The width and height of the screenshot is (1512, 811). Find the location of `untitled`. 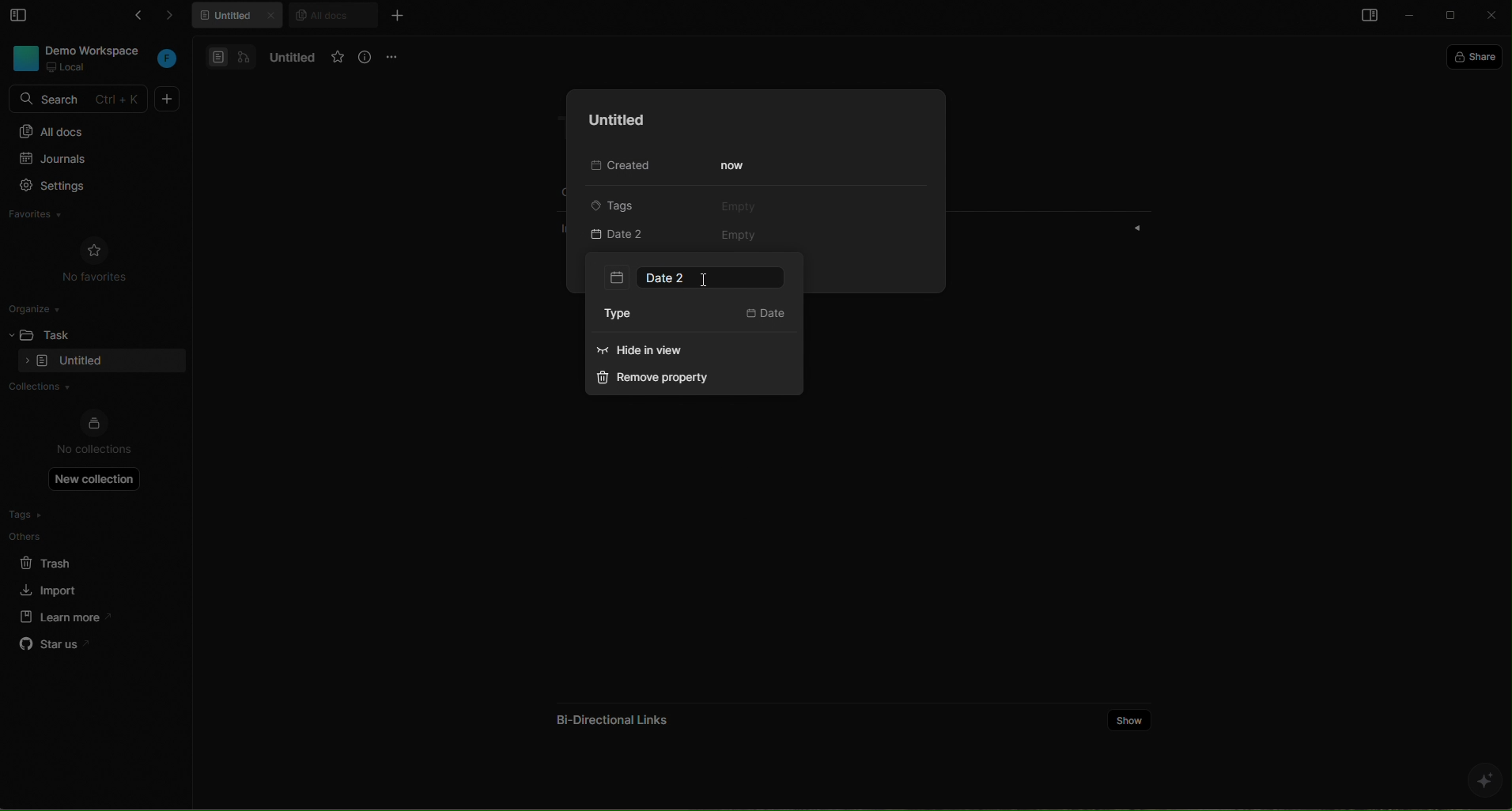

untitled is located at coordinates (240, 17).